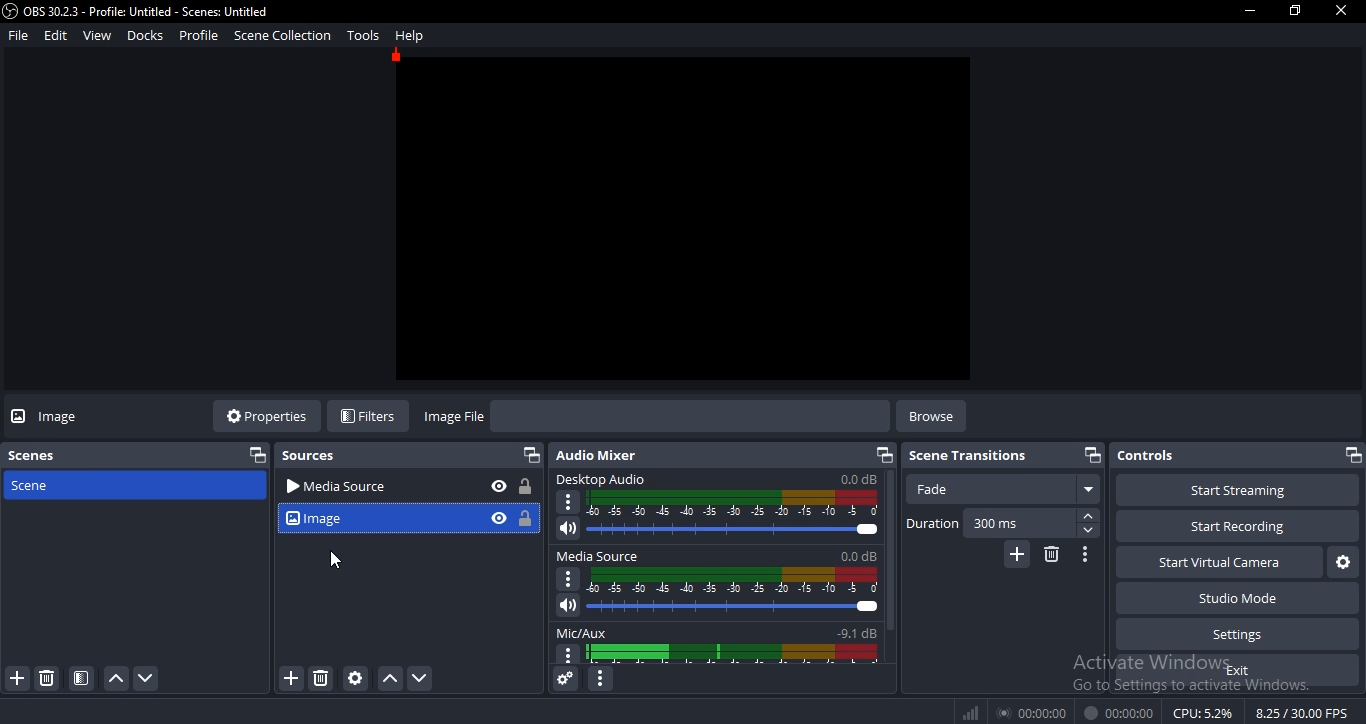 This screenshot has width=1366, height=724. Describe the element at coordinates (1083, 555) in the screenshot. I see `configure scene transition` at that location.